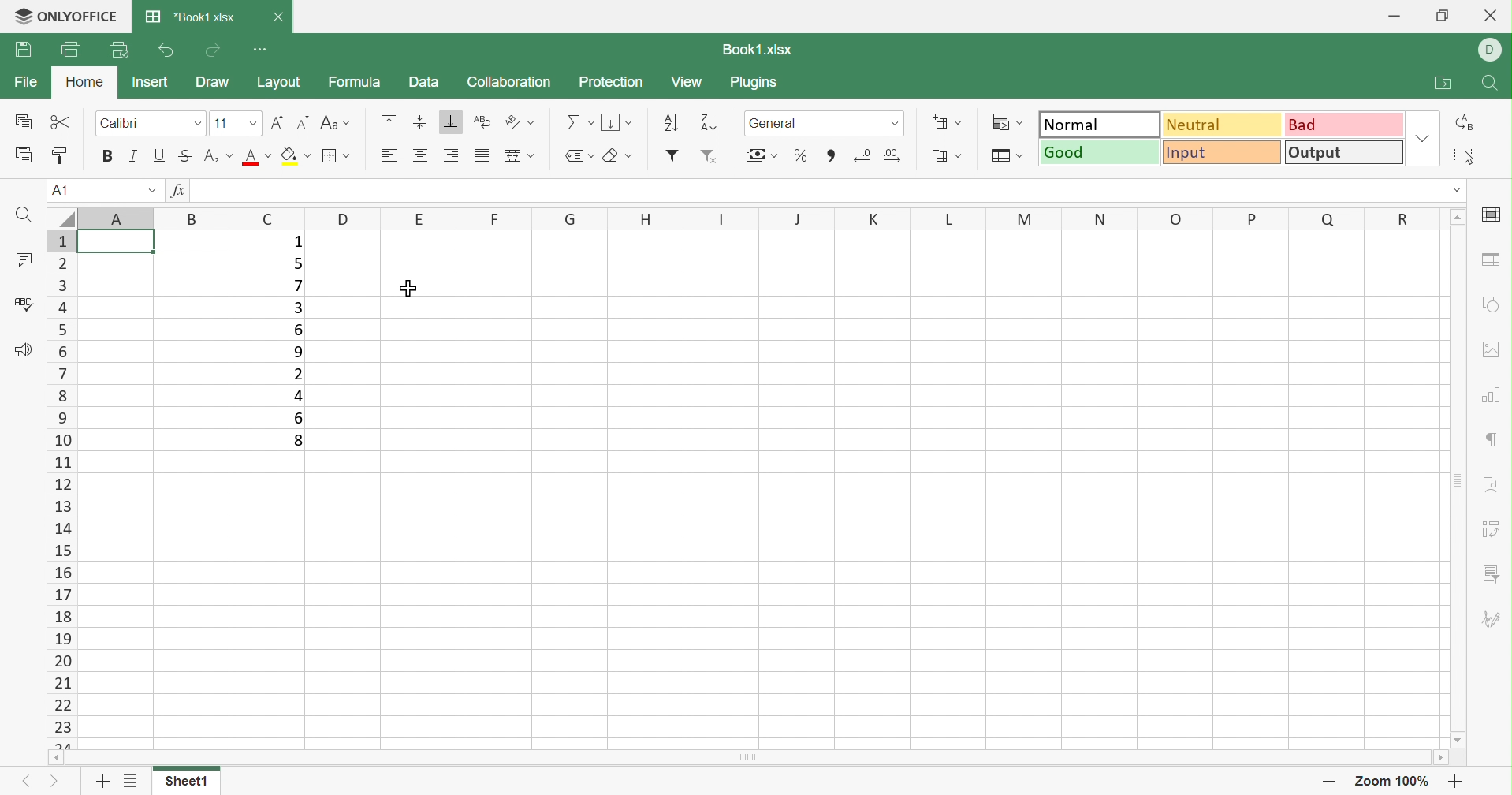  Describe the element at coordinates (20, 52) in the screenshot. I see `Print` at that location.